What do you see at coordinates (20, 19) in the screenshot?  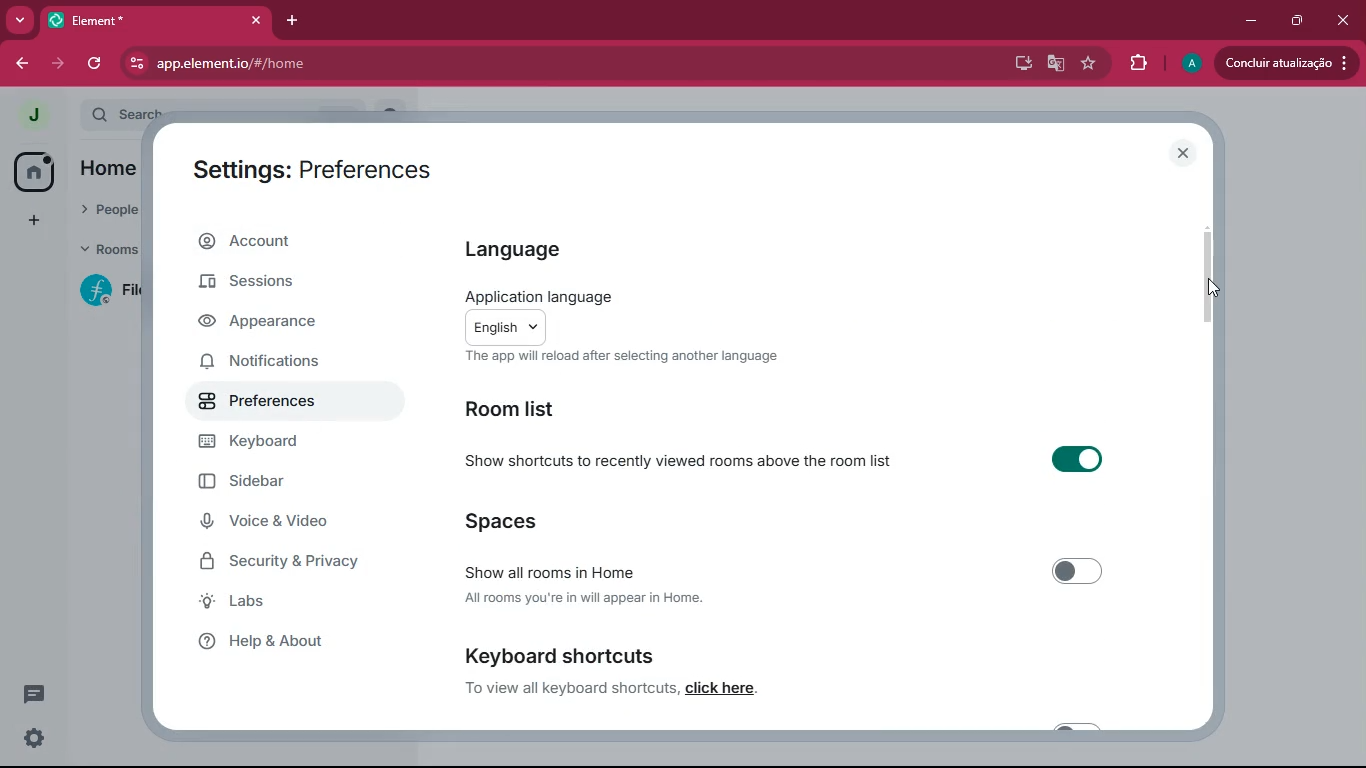 I see `more` at bounding box center [20, 19].